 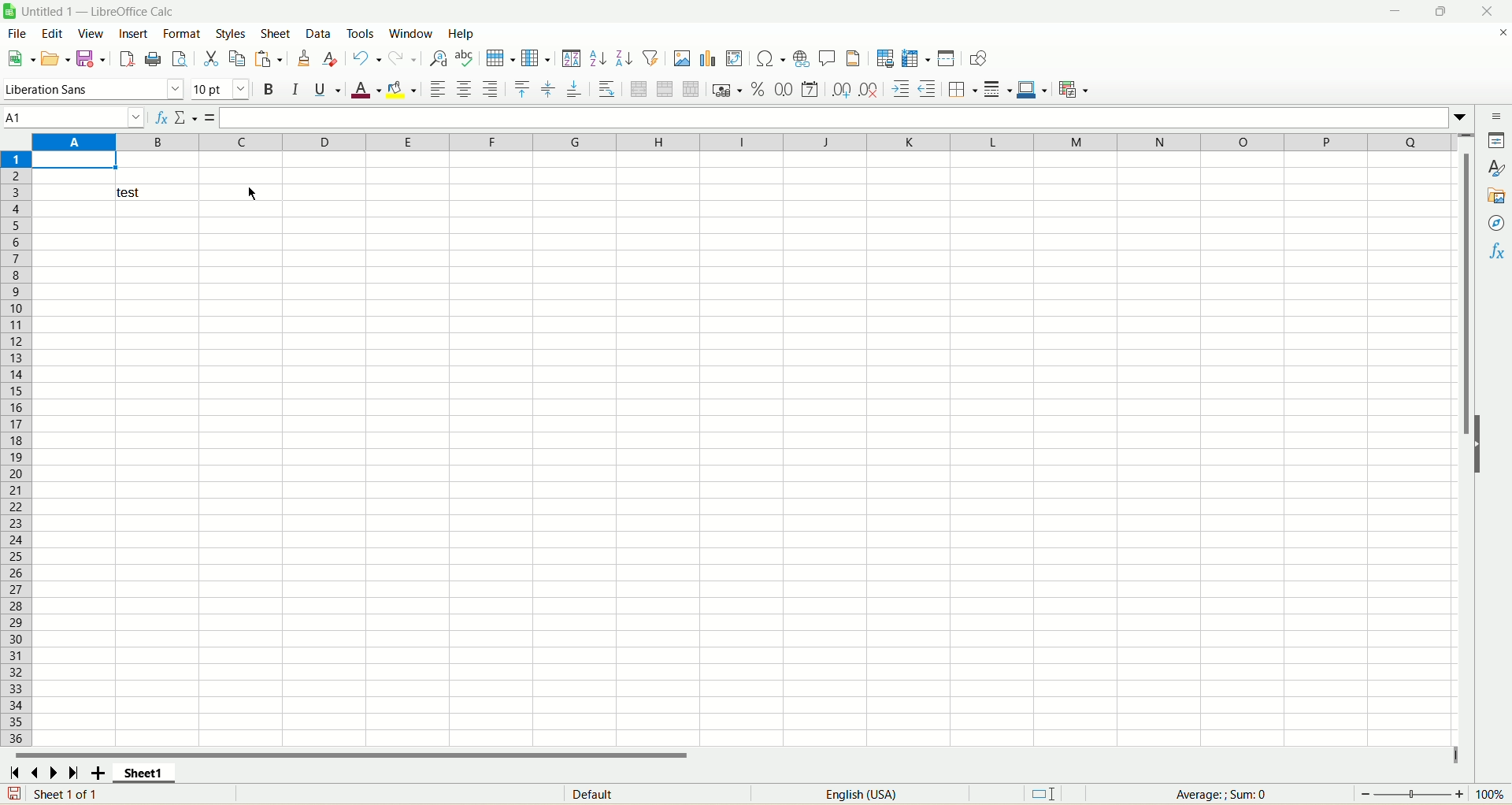 I want to click on paste, so click(x=269, y=58).